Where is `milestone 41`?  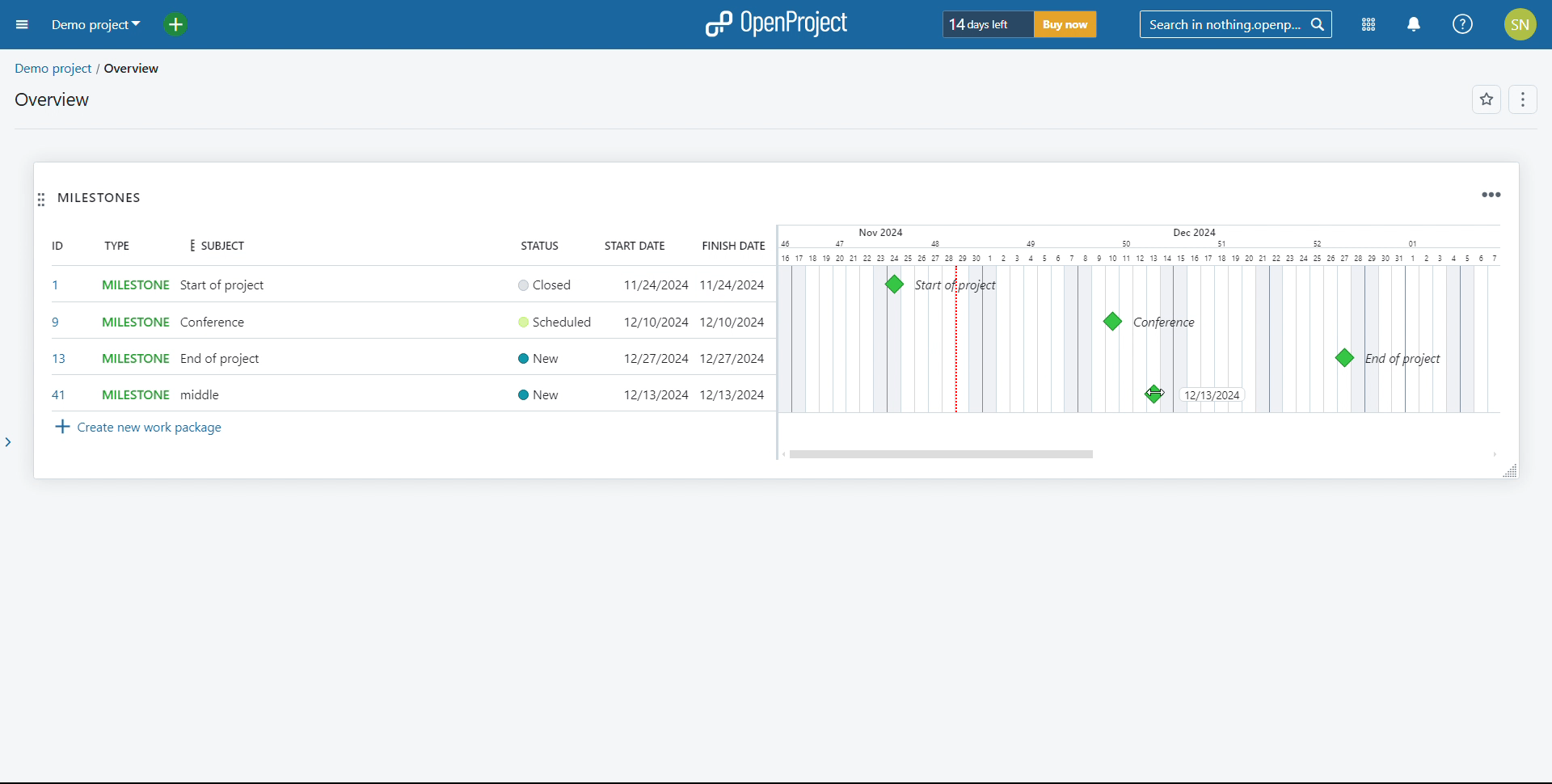
milestone 41 is located at coordinates (1153, 394).